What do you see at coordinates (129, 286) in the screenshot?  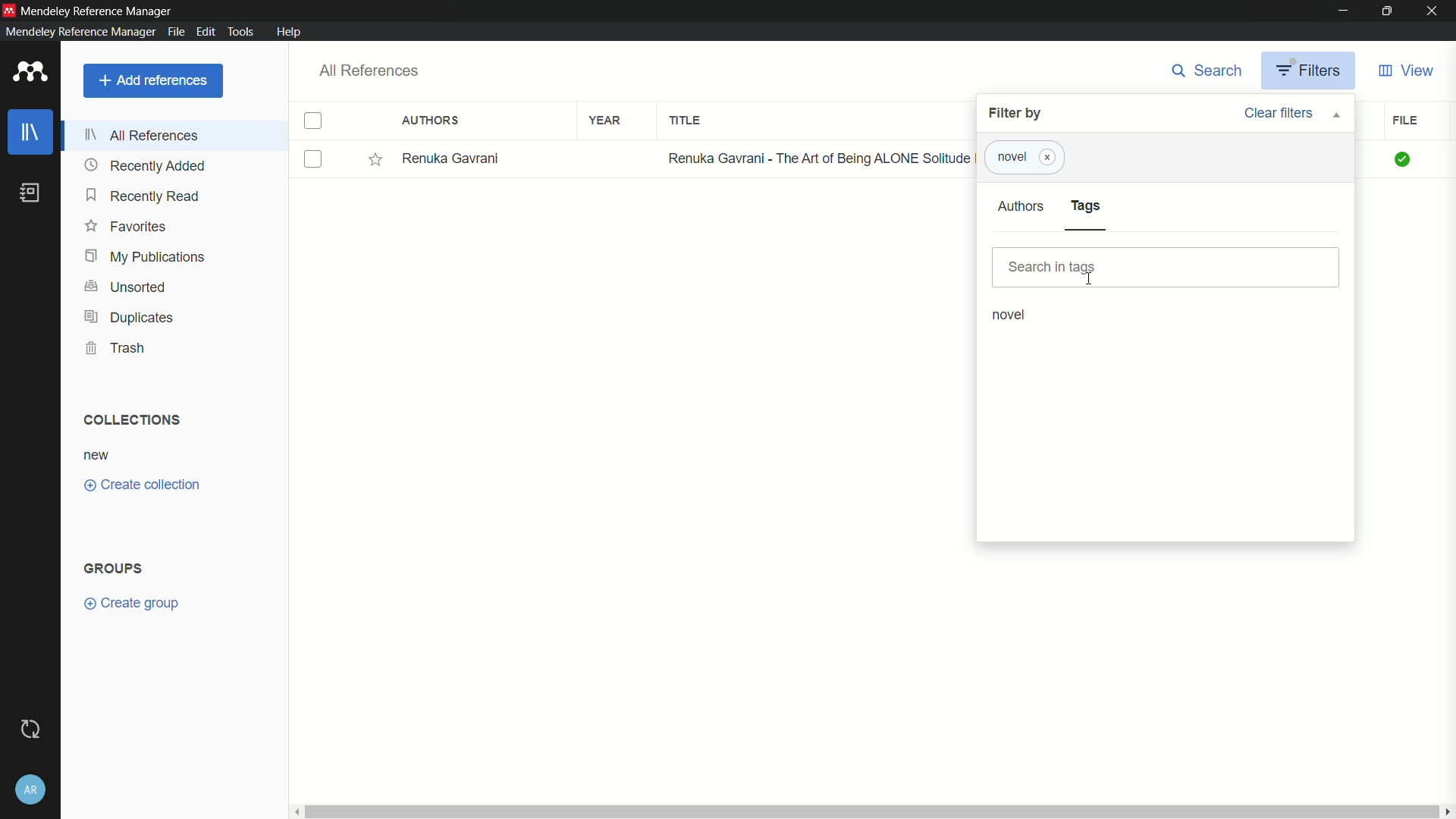 I see `unsorted` at bounding box center [129, 286].